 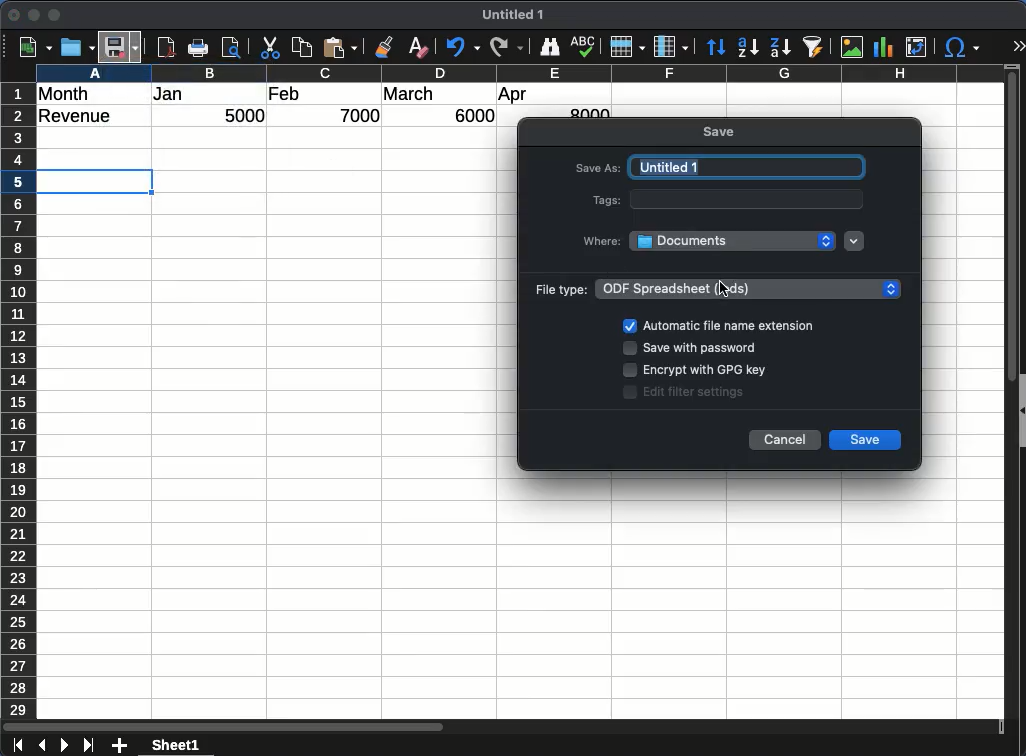 I want to click on save with password, so click(x=700, y=351).